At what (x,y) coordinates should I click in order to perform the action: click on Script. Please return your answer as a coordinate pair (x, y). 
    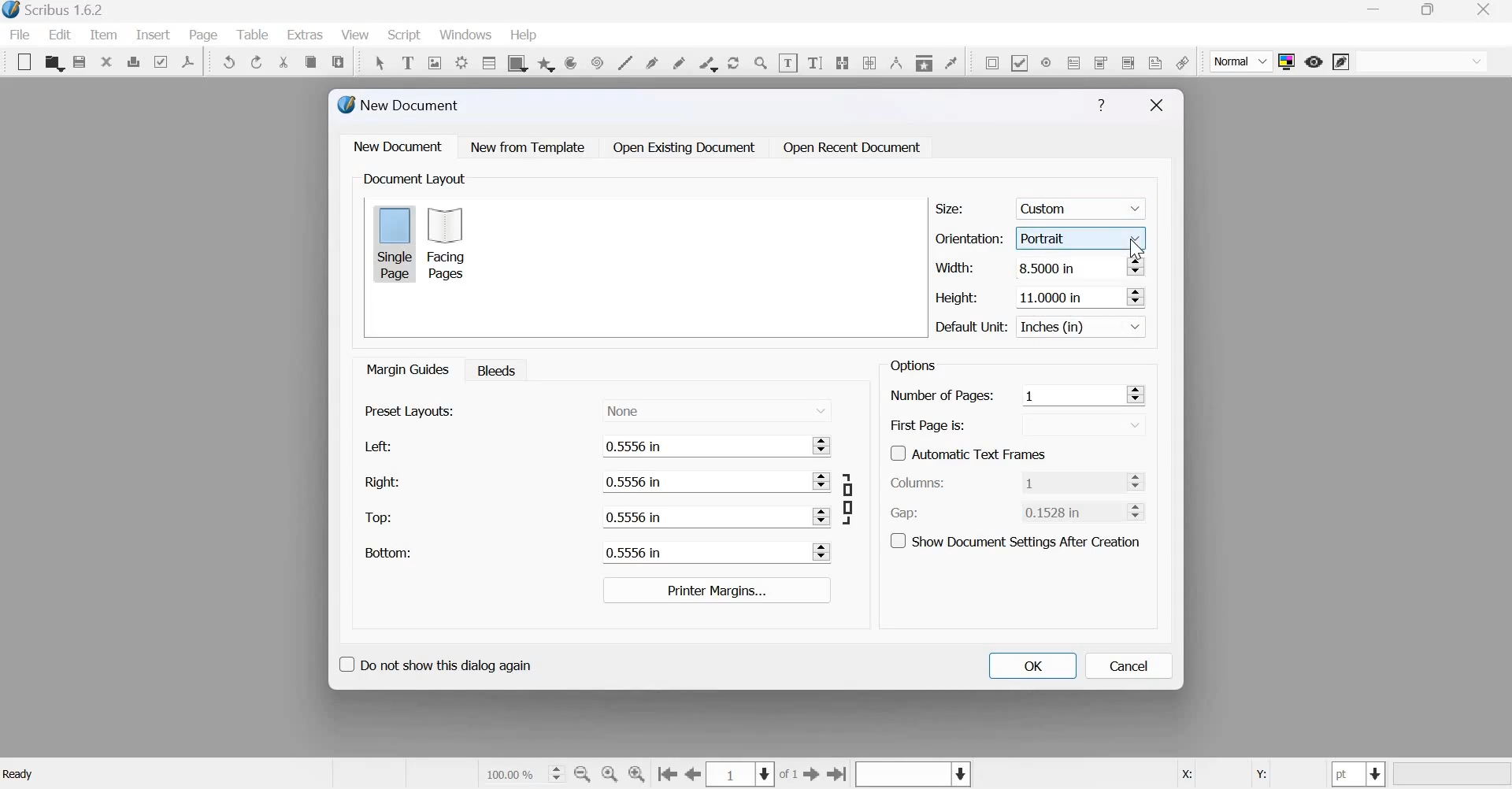
    Looking at the image, I should click on (403, 35).